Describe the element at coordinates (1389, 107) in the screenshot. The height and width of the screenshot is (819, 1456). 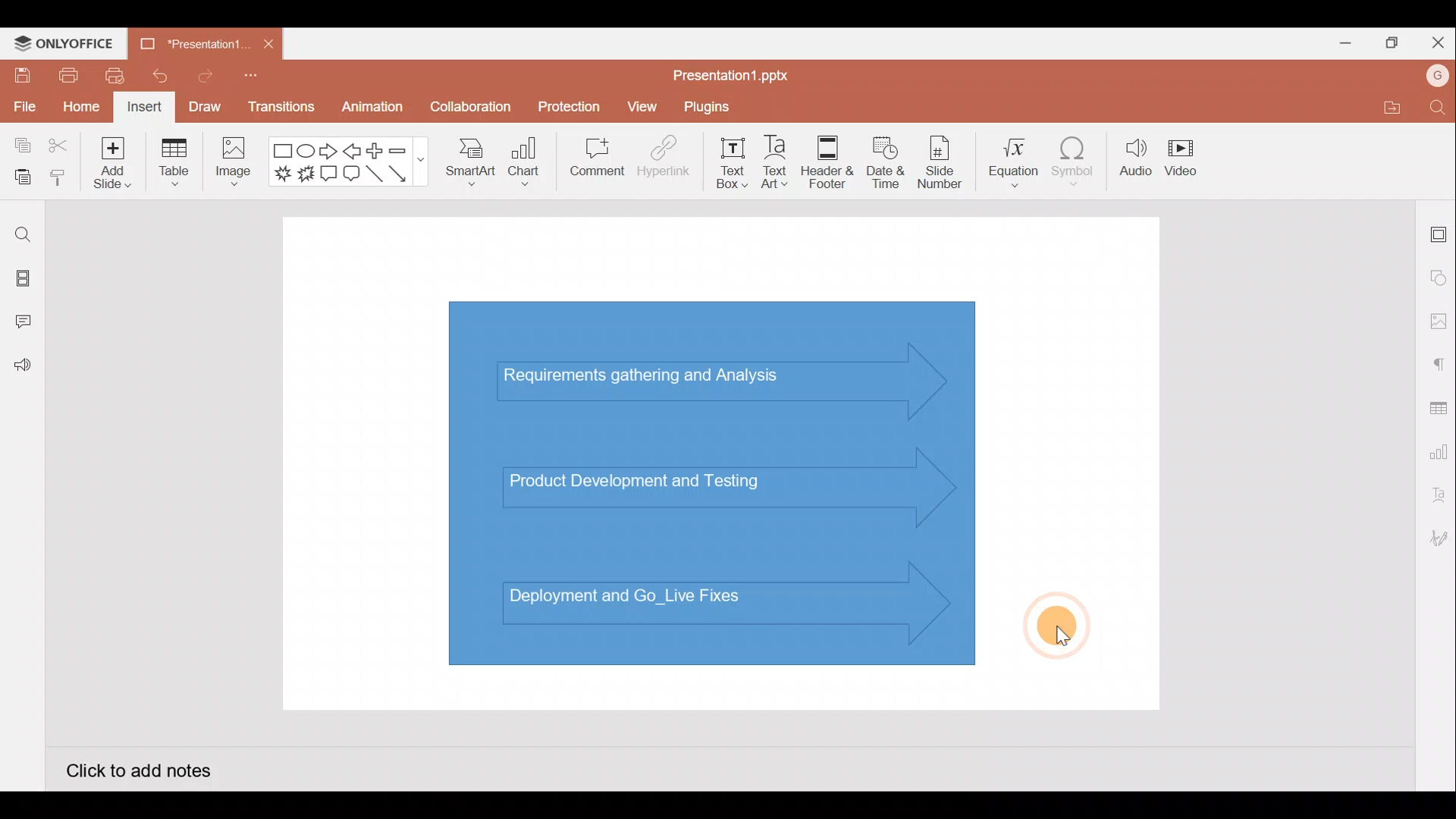
I see `Open file location` at that location.